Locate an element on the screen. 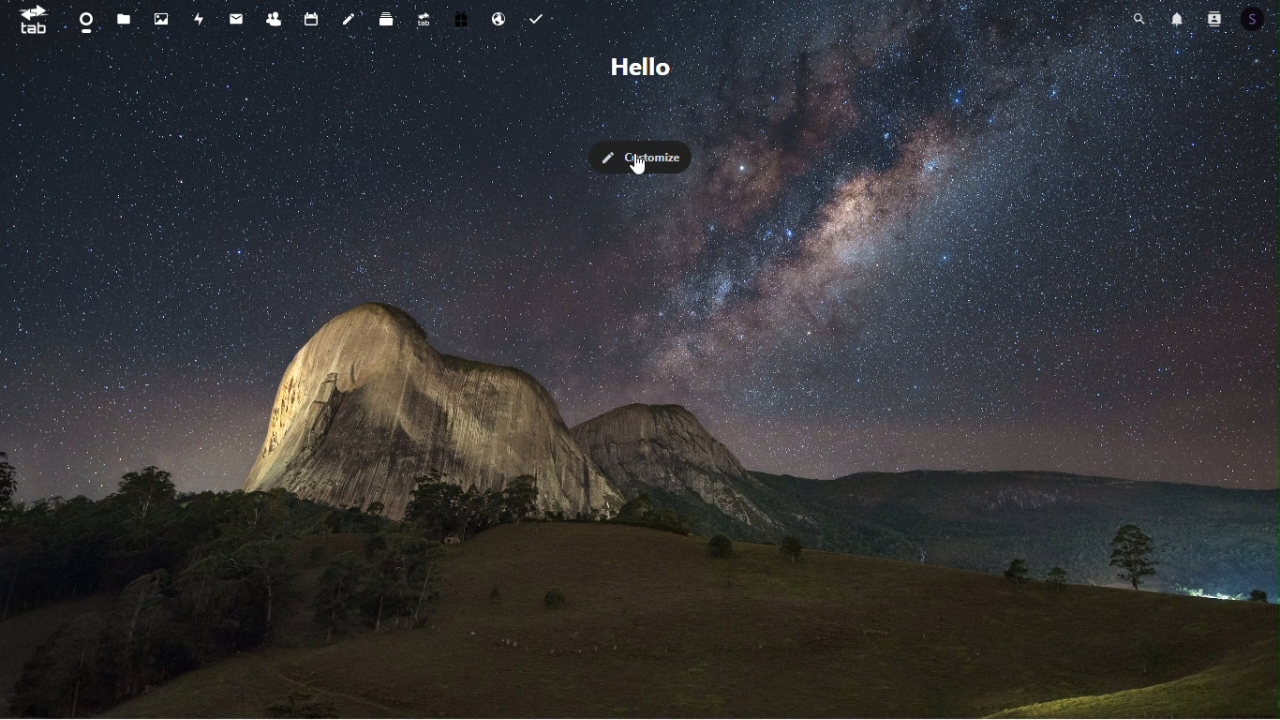 The height and width of the screenshot is (720, 1280). photos is located at coordinates (156, 19).